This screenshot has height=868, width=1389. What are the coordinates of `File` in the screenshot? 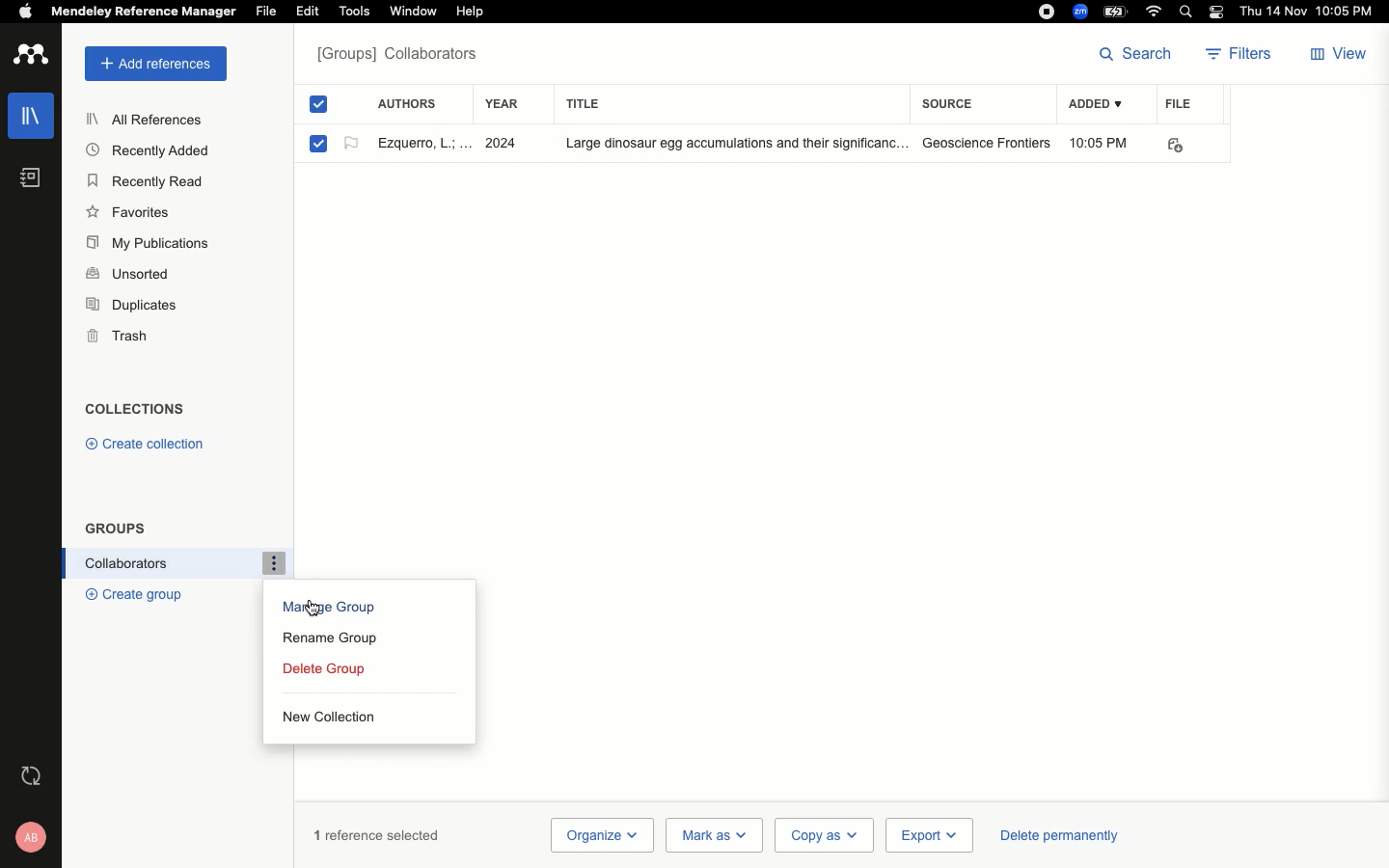 It's located at (1179, 103).